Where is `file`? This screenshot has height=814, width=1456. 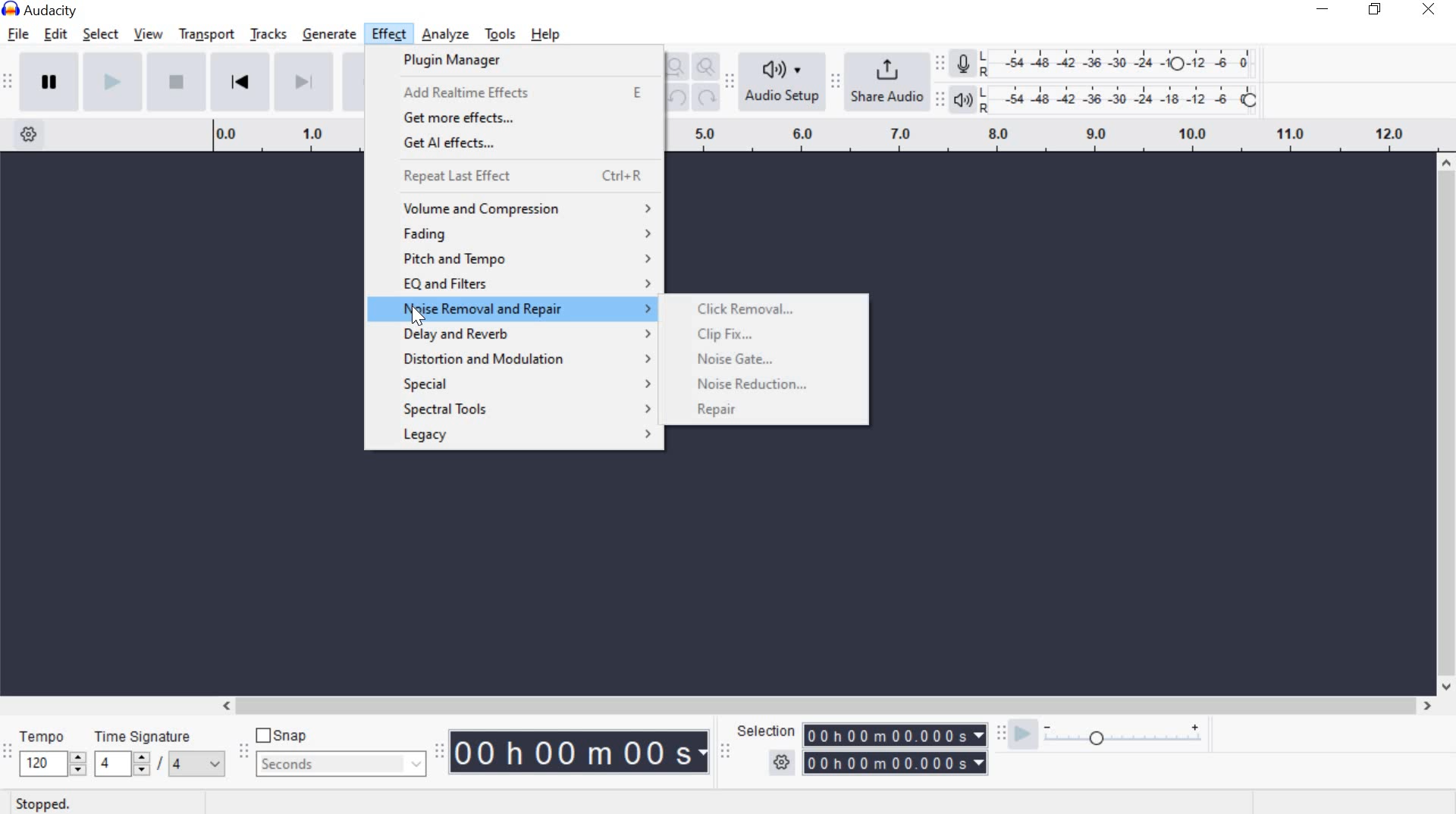 file is located at coordinates (21, 34).